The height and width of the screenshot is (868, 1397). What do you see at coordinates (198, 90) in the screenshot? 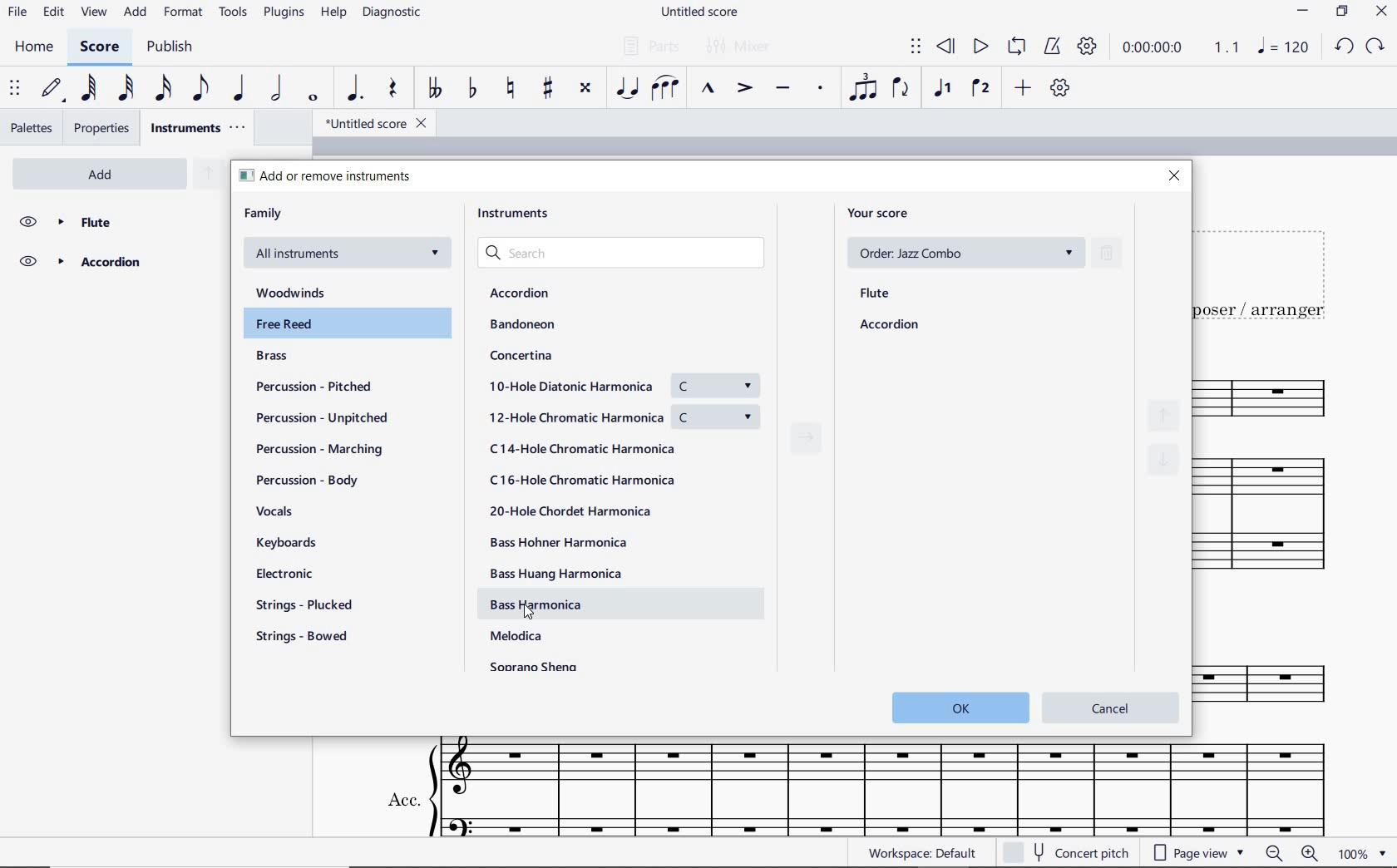
I see `eighth note` at bounding box center [198, 90].